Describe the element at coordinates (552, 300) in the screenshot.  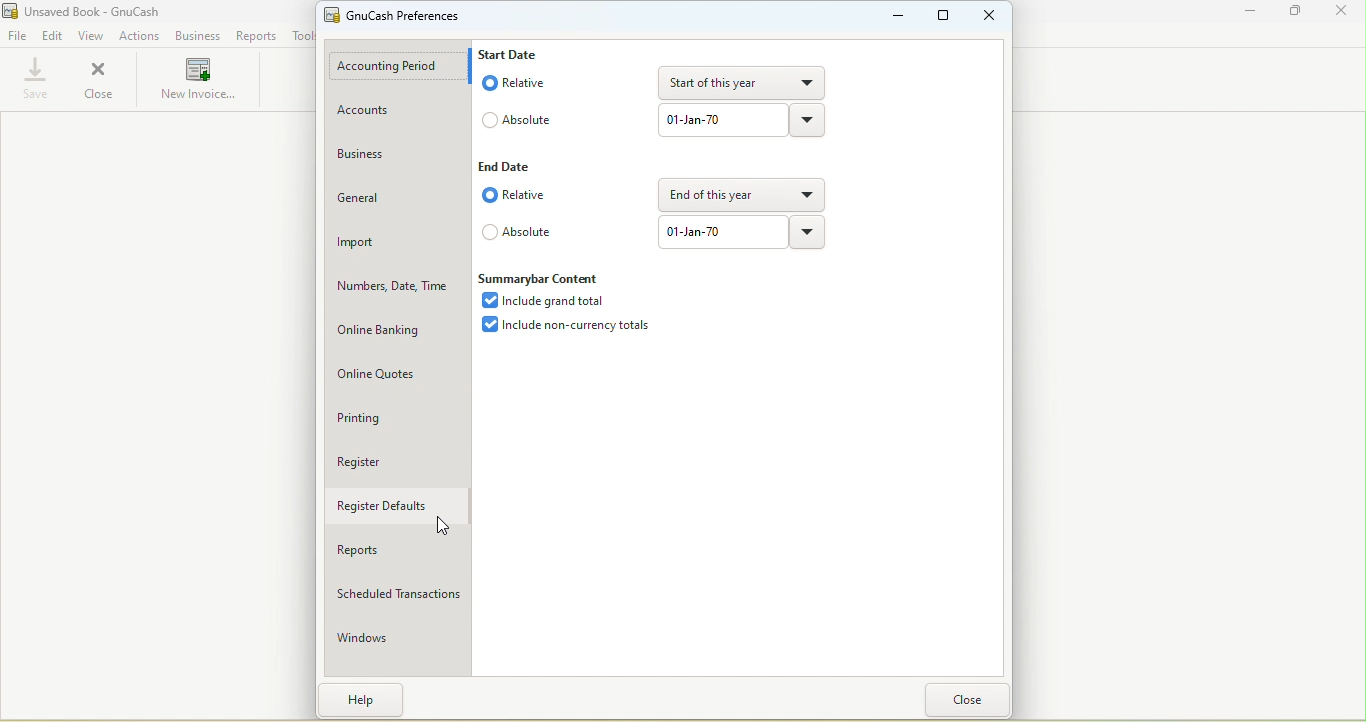
I see `Include grand total` at that location.